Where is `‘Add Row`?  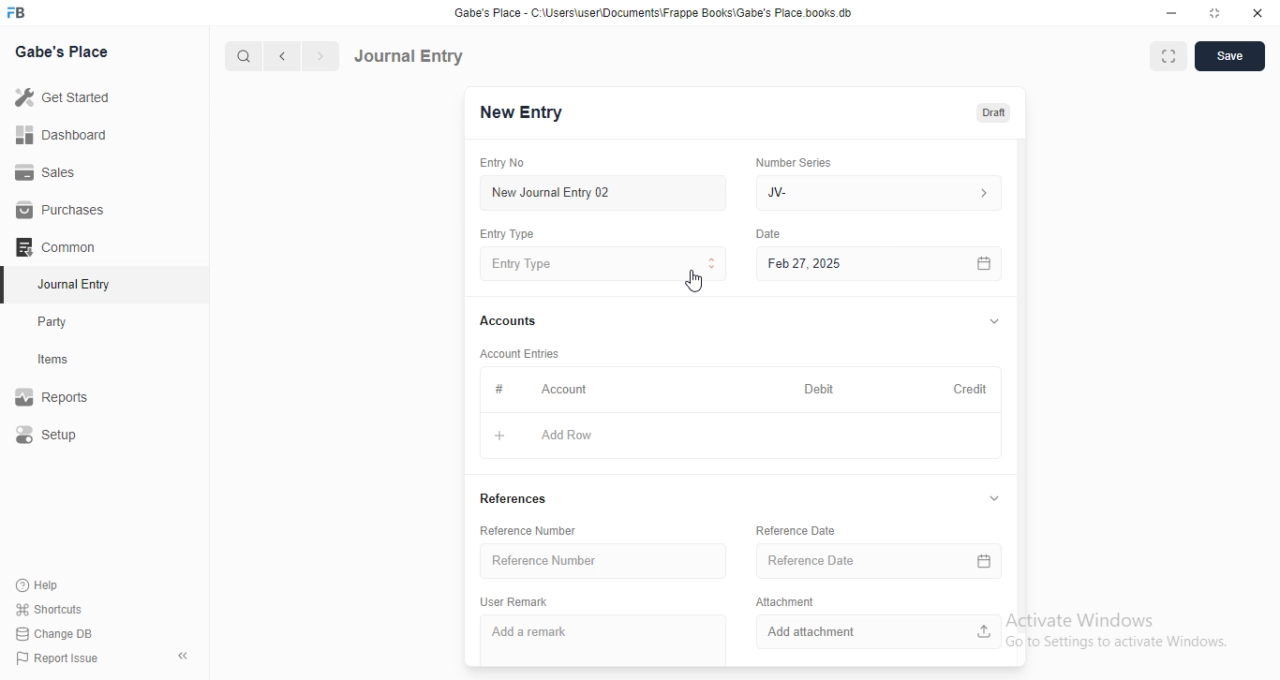 ‘Add Row is located at coordinates (563, 436).